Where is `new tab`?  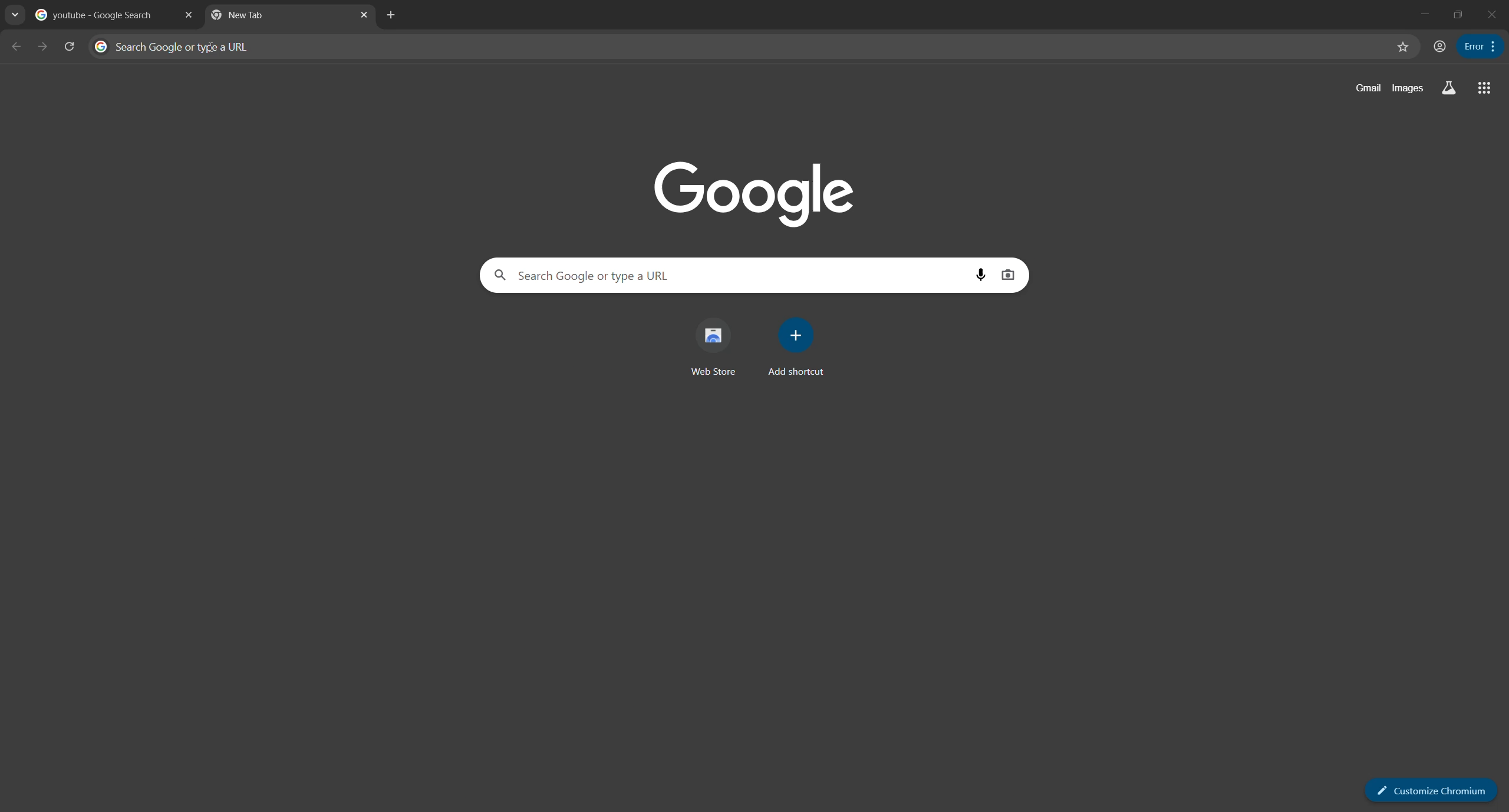
new tab is located at coordinates (392, 15).